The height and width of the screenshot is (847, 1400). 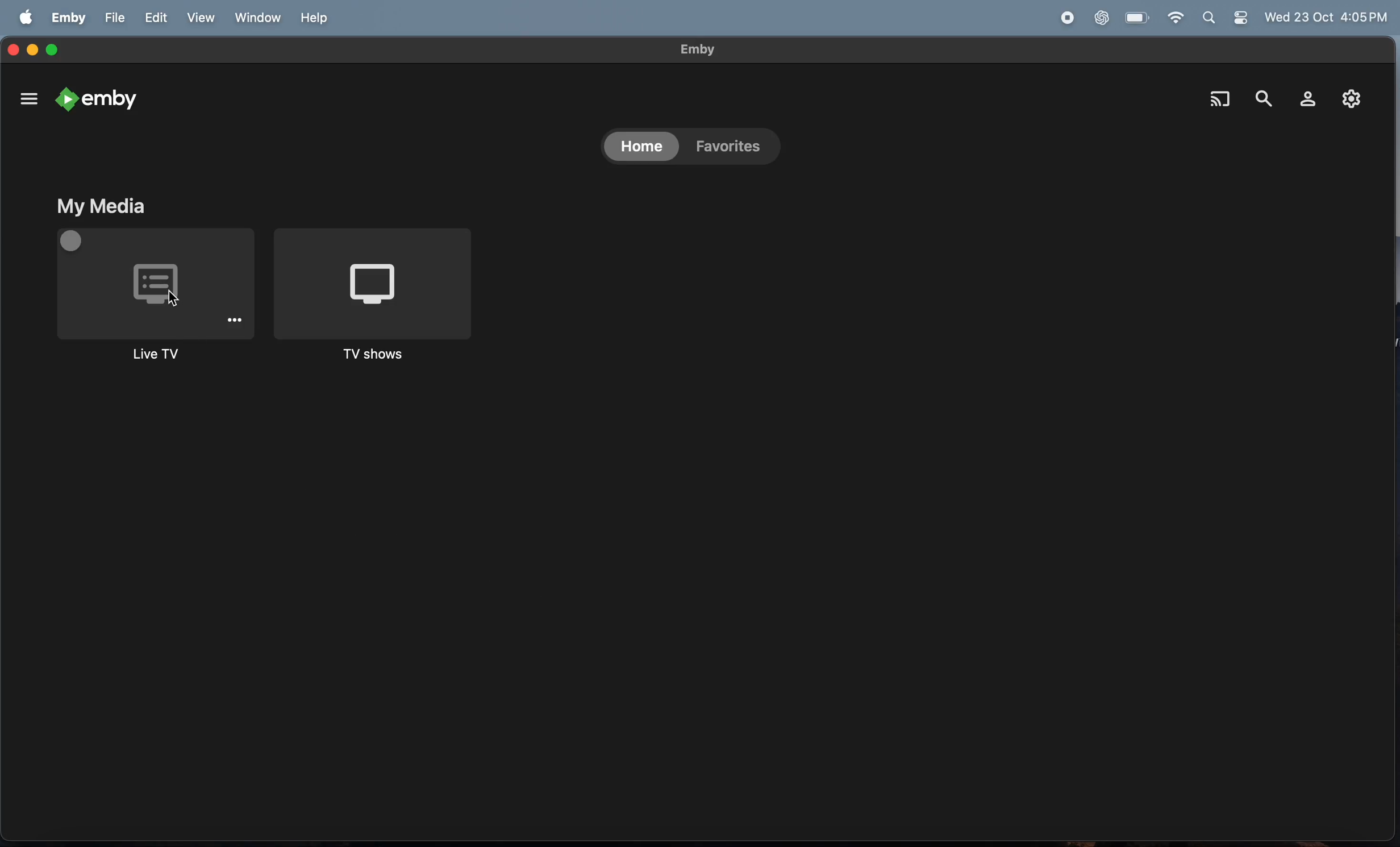 I want to click on search, so click(x=1263, y=93).